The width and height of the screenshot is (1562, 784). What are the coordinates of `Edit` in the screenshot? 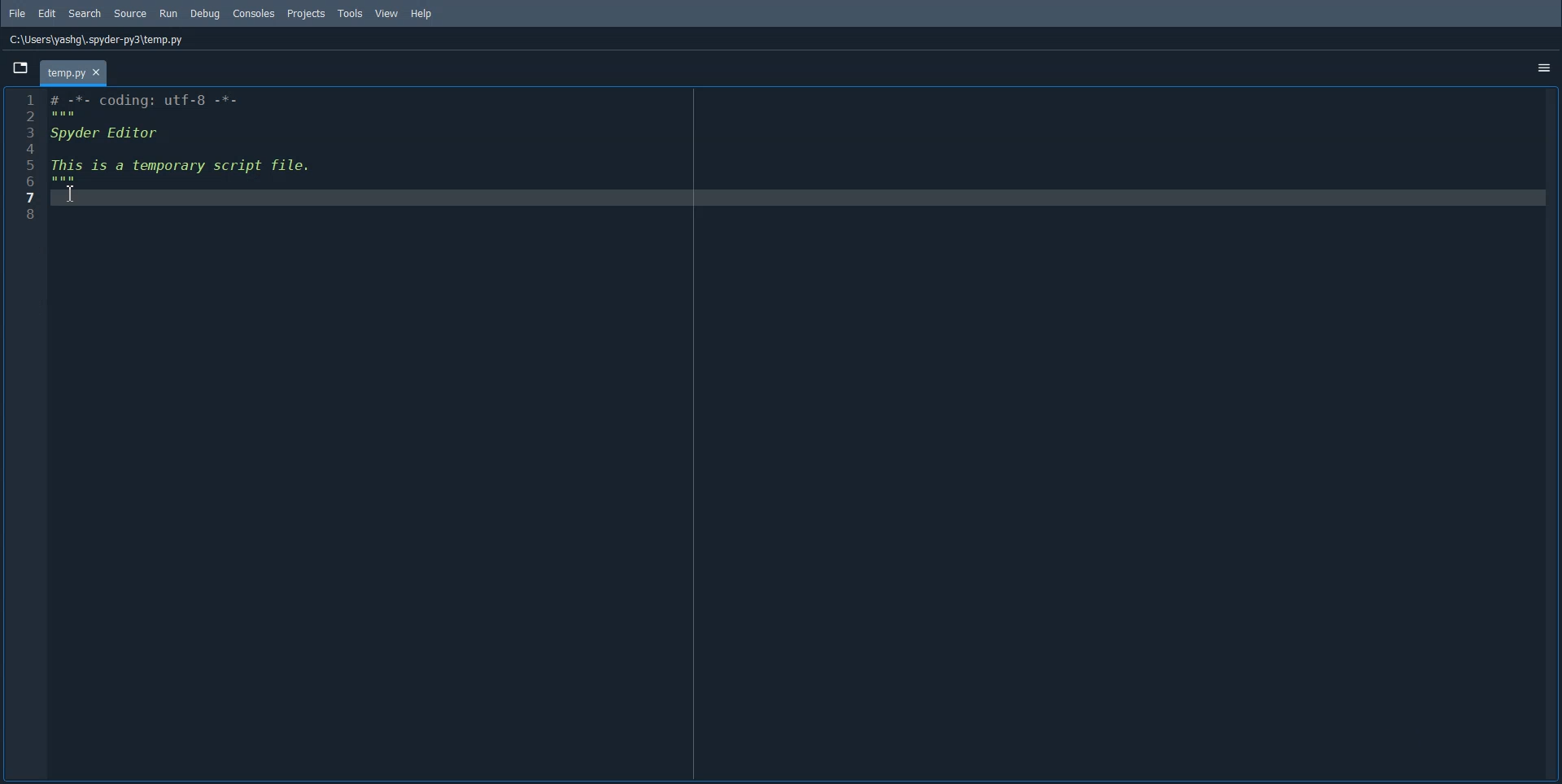 It's located at (47, 14).